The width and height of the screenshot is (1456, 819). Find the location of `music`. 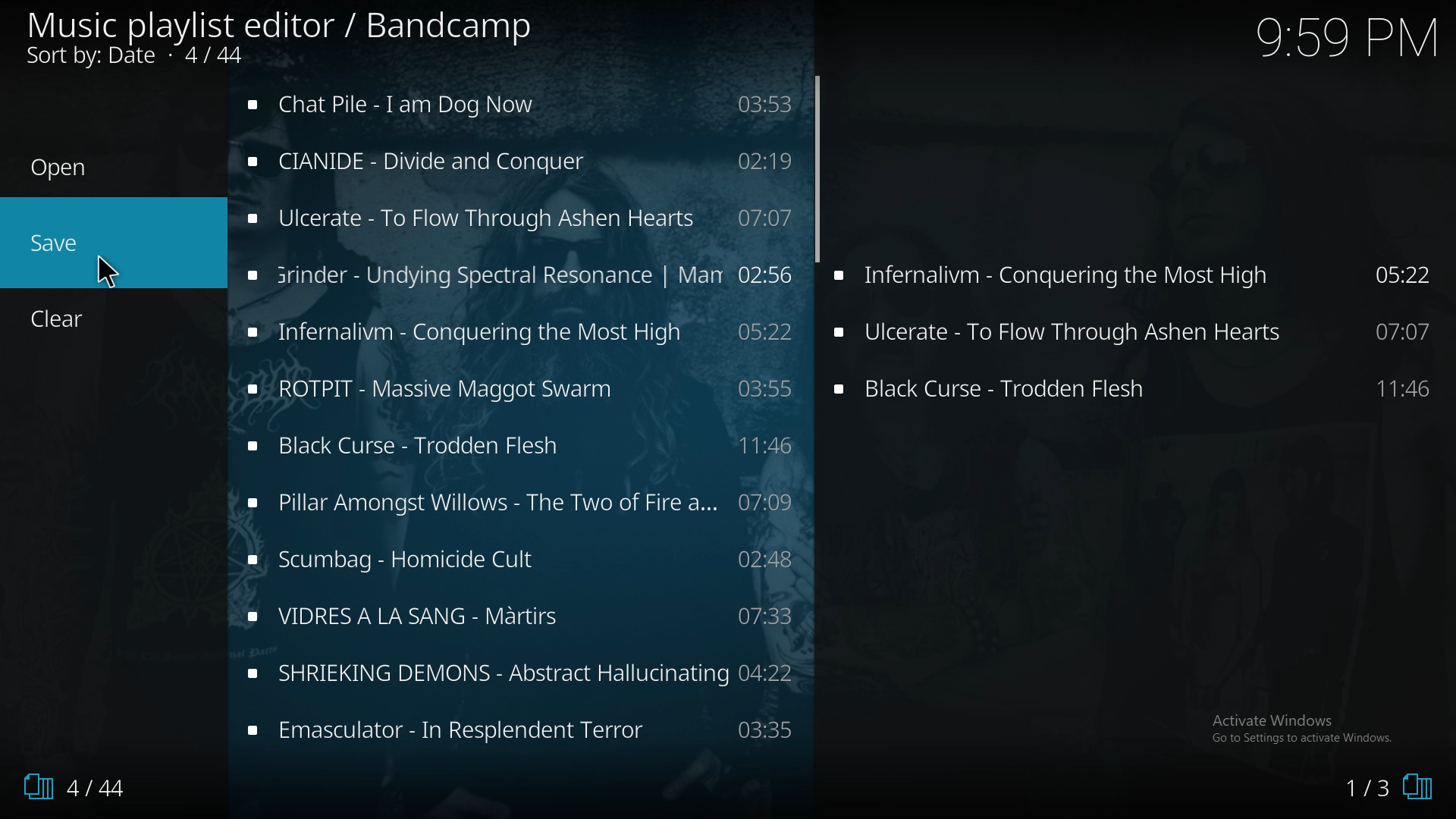

music is located at coordinates (522, 102).